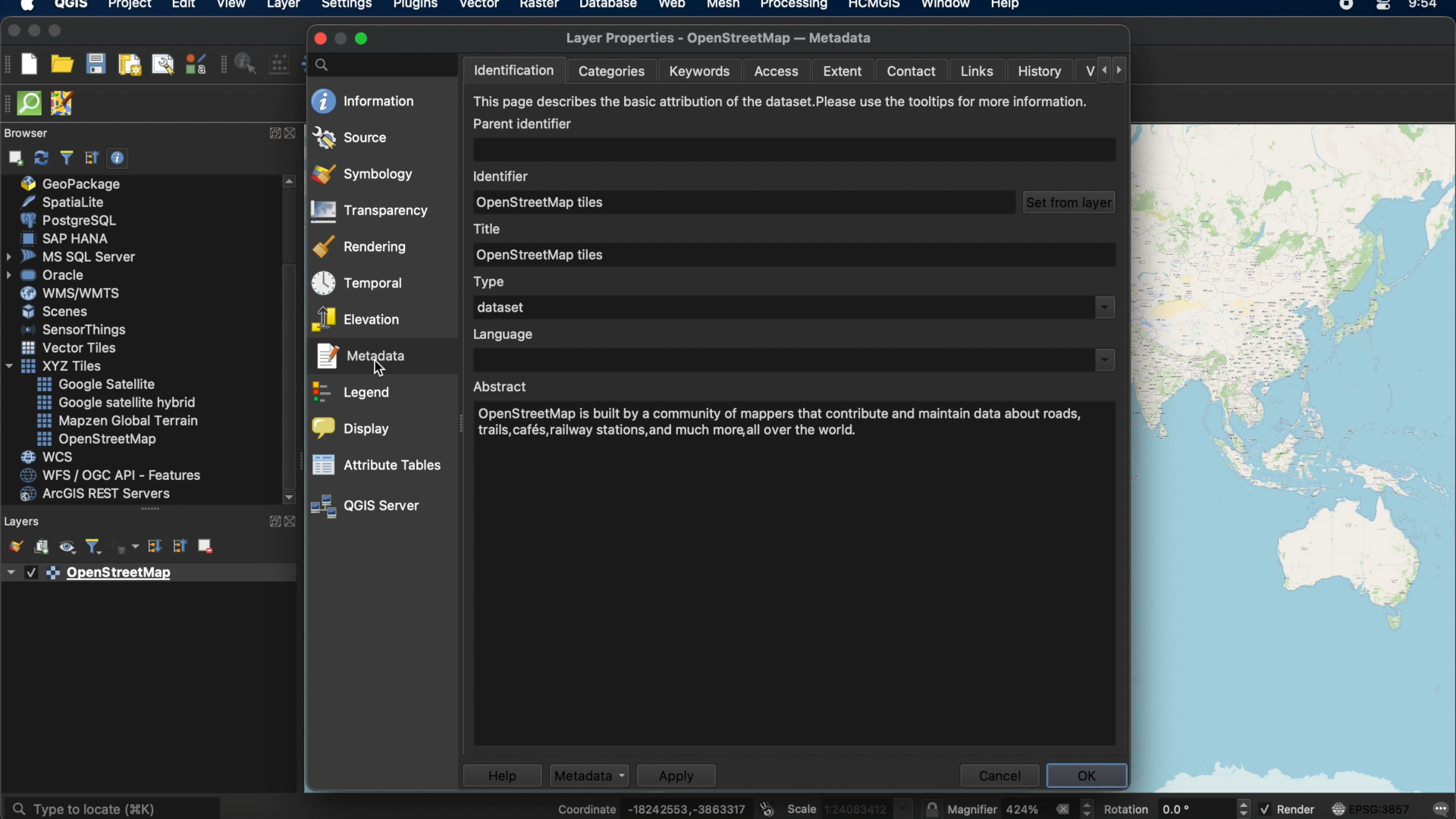 This screenshot has height=819, width=1456. I want to click on refresh, so click(39, 157).